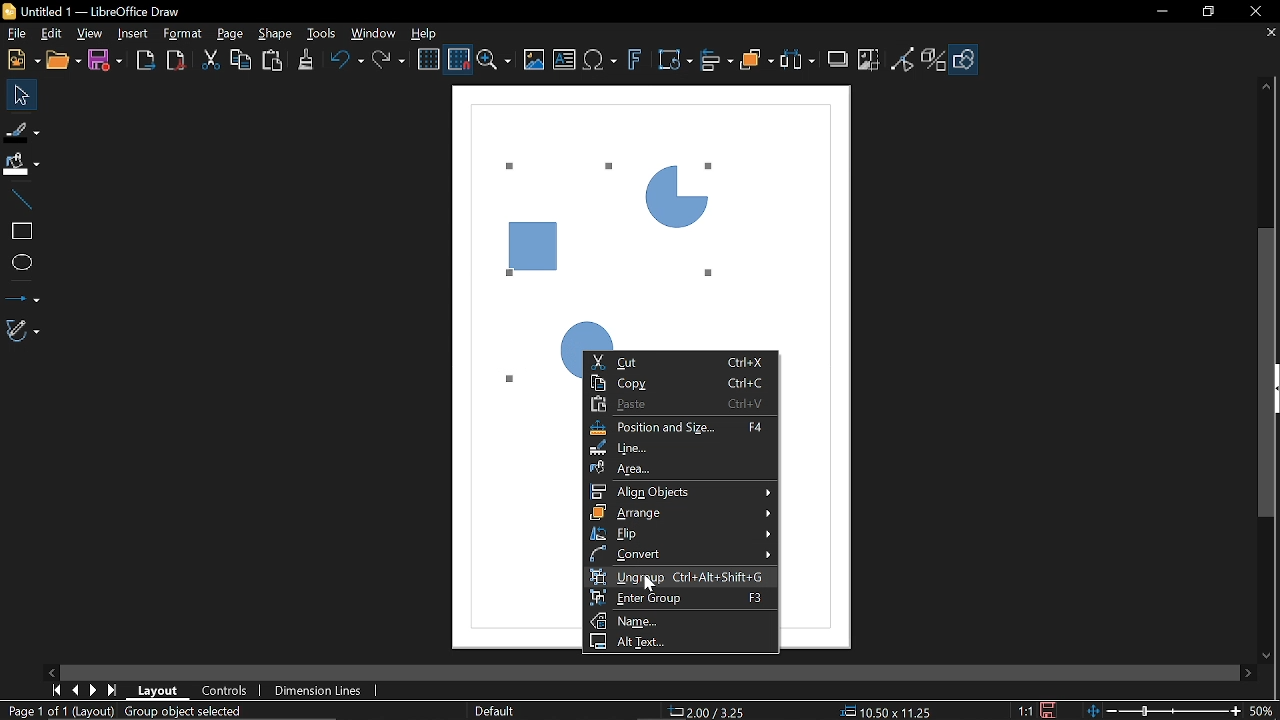  What do you see at coordinates (160, 692) in the screenshot?
I see `Layout` at bounding box center [160, 692].